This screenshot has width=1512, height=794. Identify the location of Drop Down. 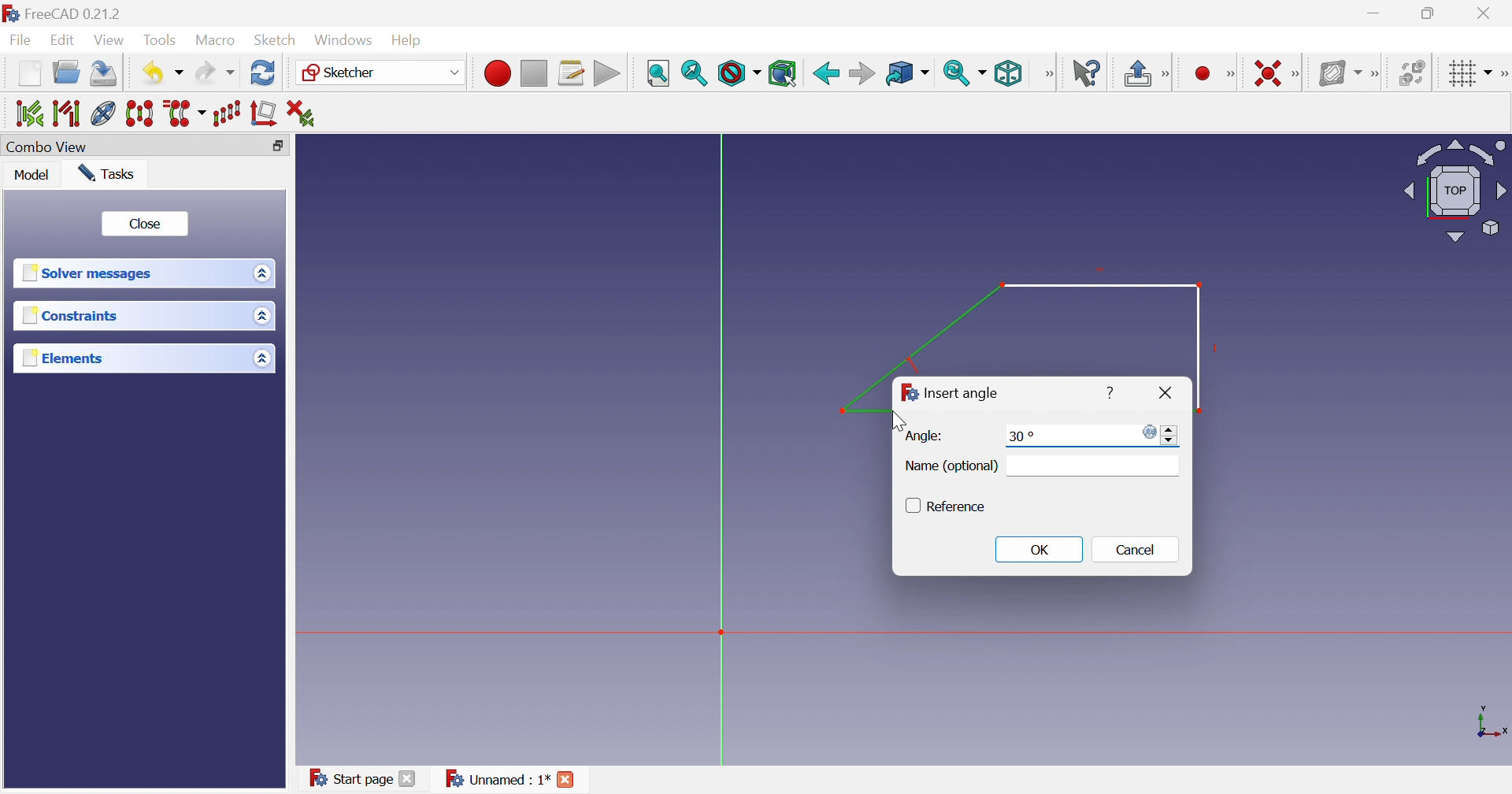
(263, 317).